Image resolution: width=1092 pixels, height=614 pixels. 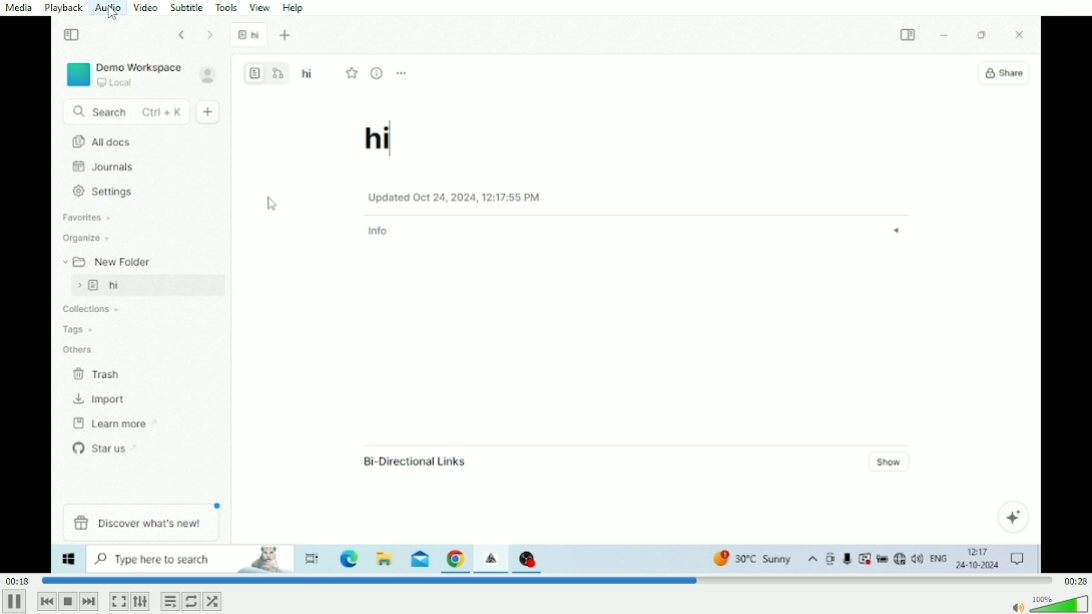 What do you see at coordinates (1049, 603) in the screenshot?
I see `Volume` at bounding box center [1049, 603].